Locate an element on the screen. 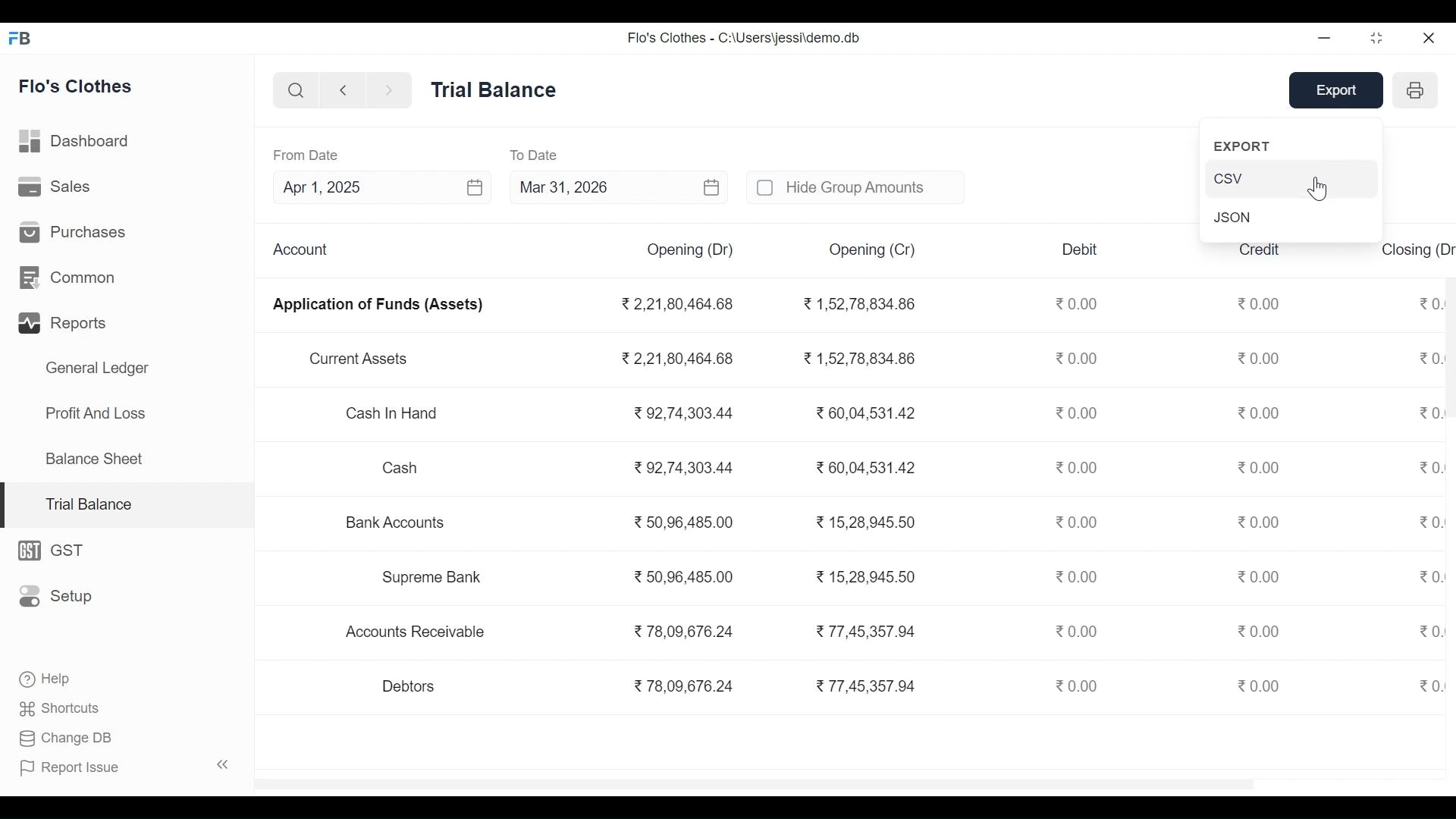 Image resolution: width=1456 pixels, height=819 pixels. 50,96,485.00 is located at coordinates (682, 576).